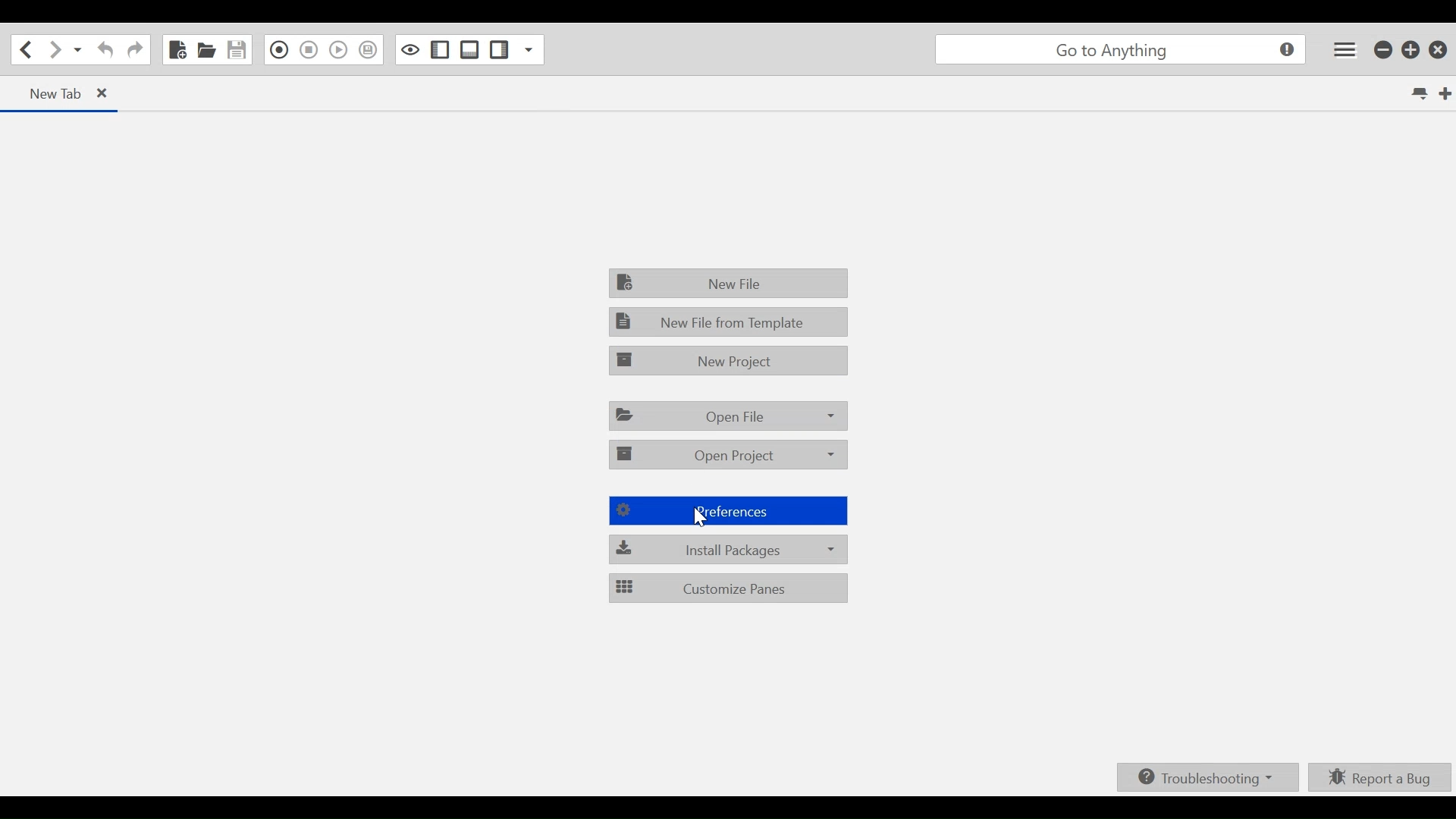 The width and height of the screenshot is (1456, 819). Describe the element at coordinates (368, 50) in the screenshot. I see `Save Macro to Toolbox as Superscript` at that location.